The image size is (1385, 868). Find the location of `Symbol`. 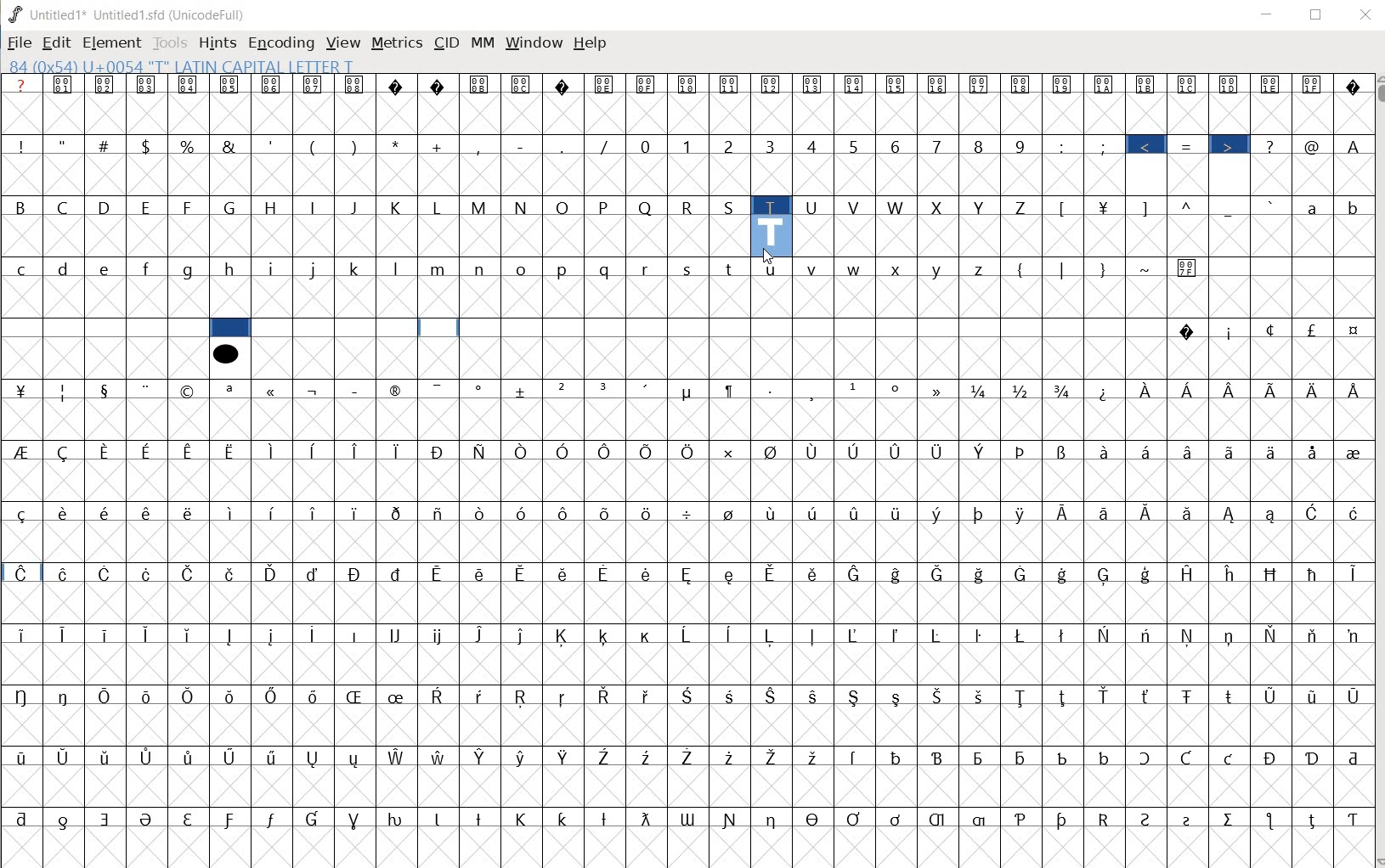

Symbol is located at coordinates (21, 389).